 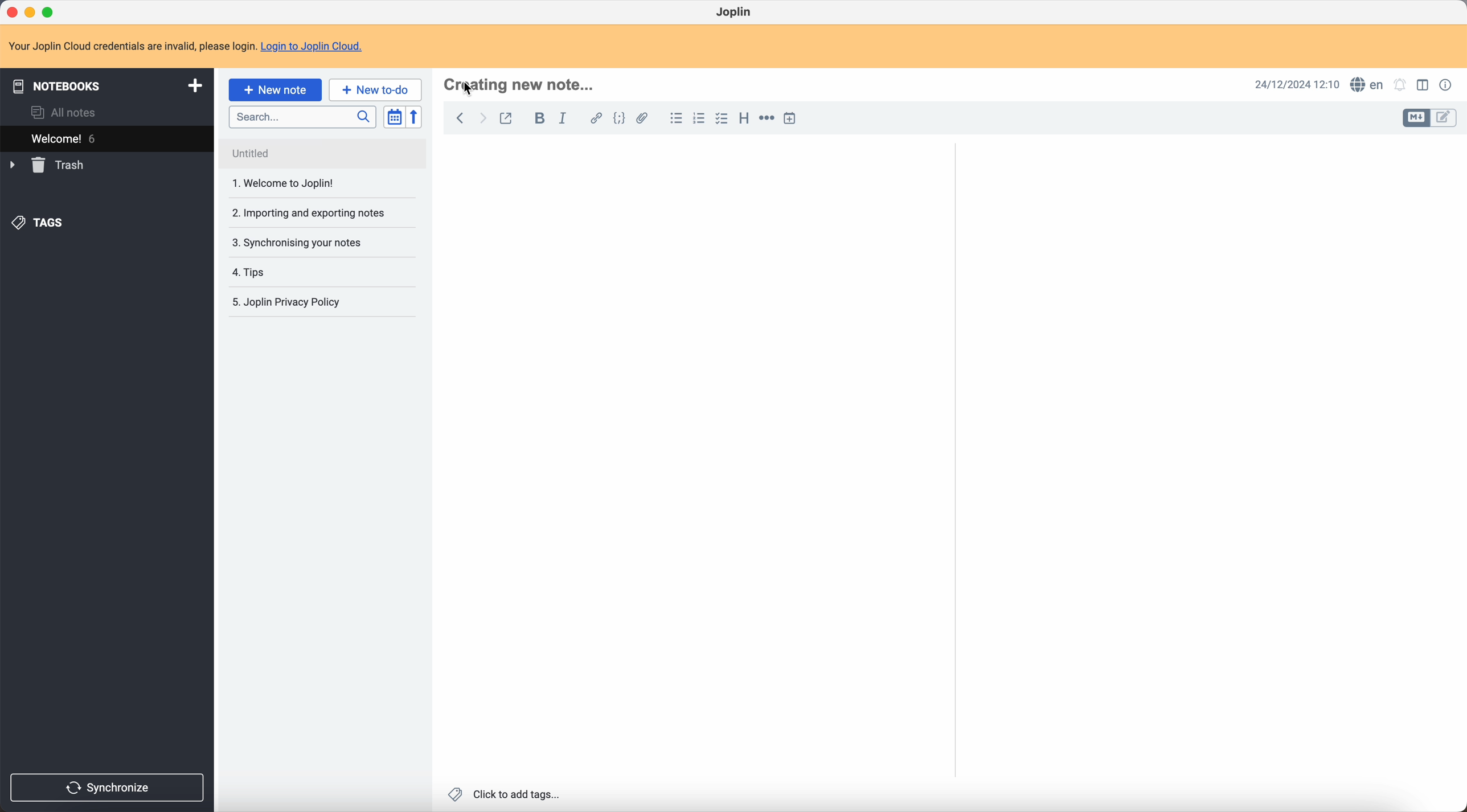 What do you see at coordinates (507, 121) in the screenshot?
I see `toggle external editing` at bounding box center [507, 121].